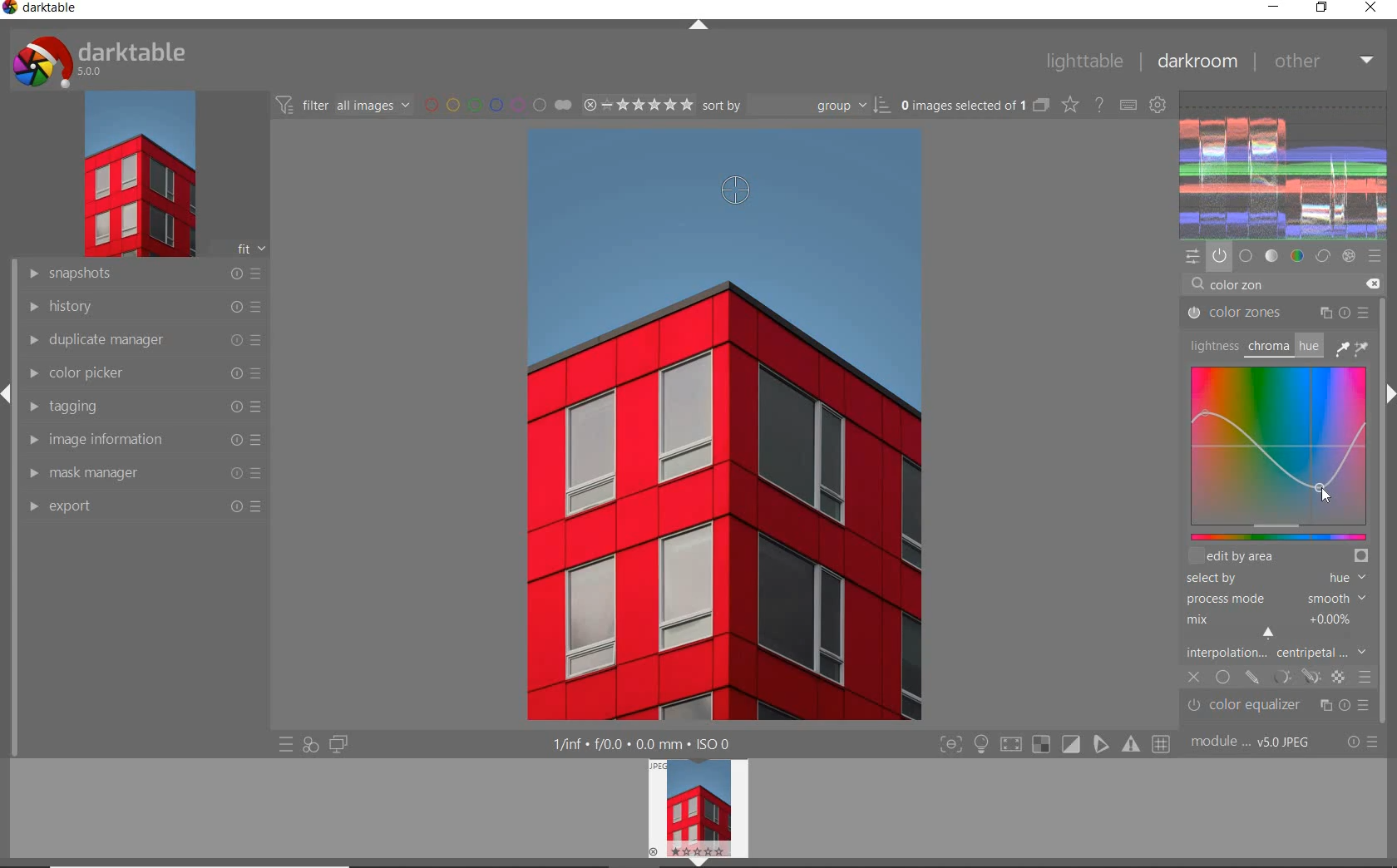 Image resolution: width=1397 pixels, height=868 pixels. I want to click on guides overlay, so click(1100, 745).